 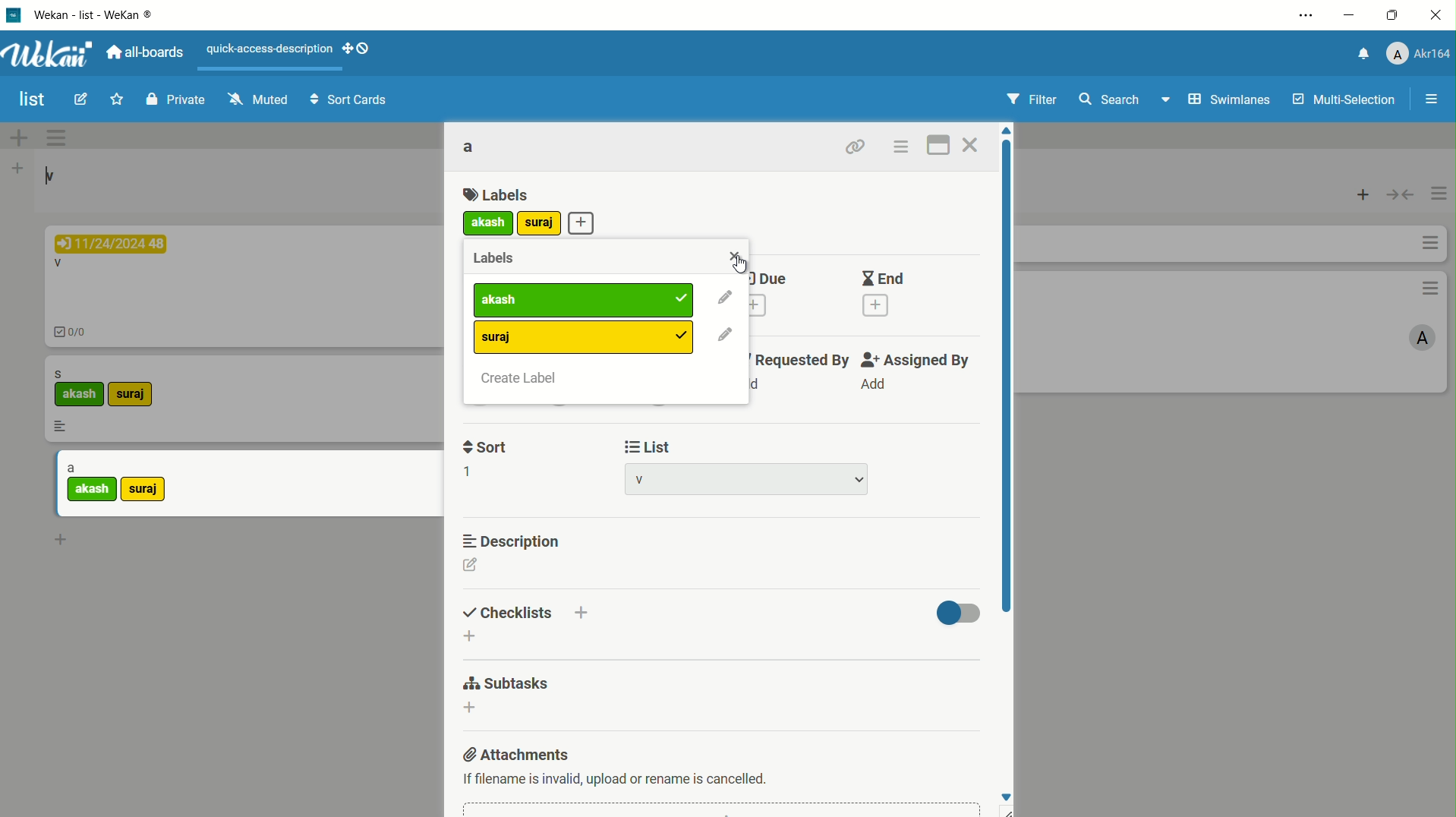 What do you see at coordinates (581, 614) in the screenshot?
I see `add checklist` at bounding box center [581, 614].